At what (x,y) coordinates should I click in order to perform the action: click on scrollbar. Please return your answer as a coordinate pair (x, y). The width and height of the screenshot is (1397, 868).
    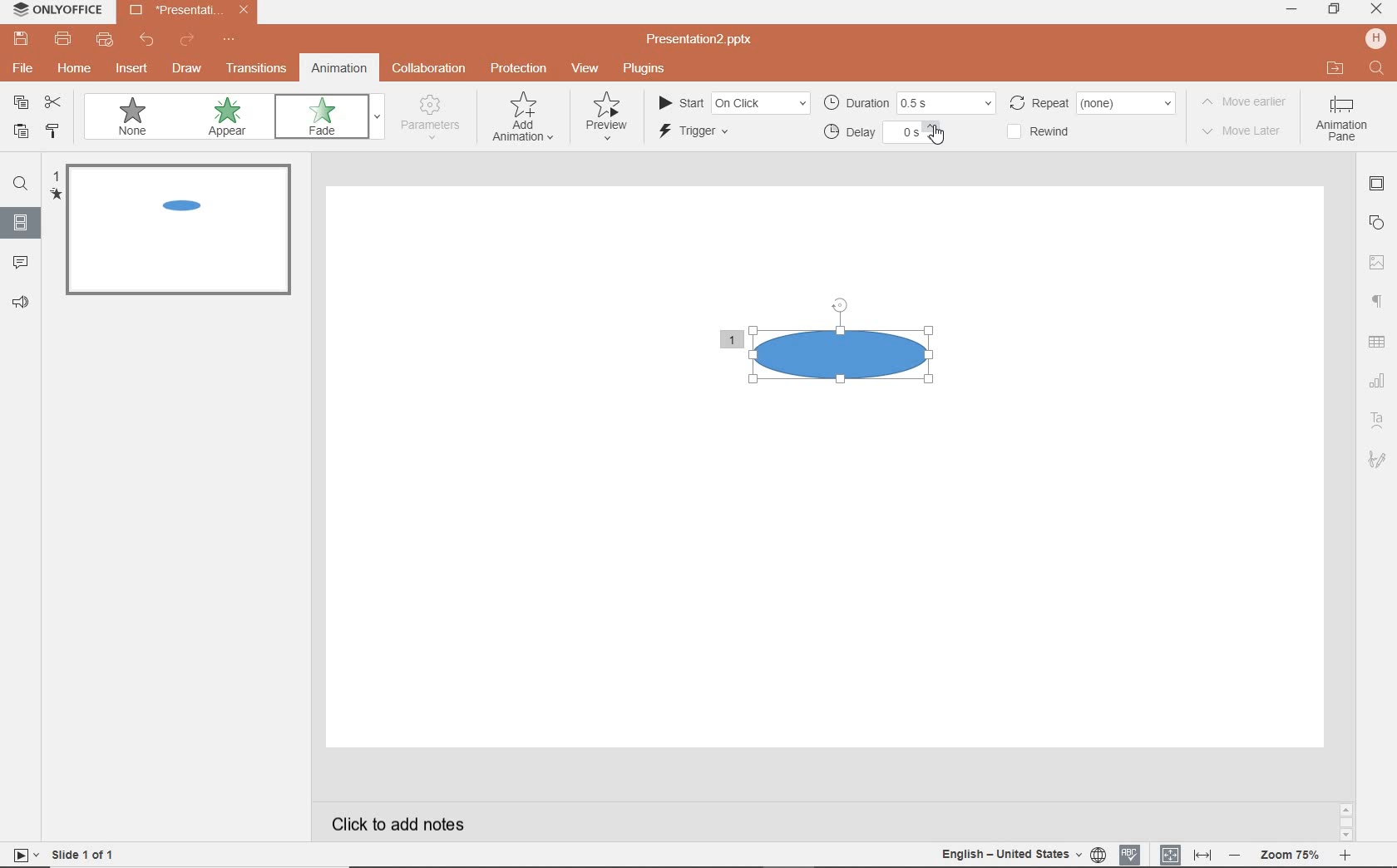
    Looking at the image, I should click on (1345, 822).